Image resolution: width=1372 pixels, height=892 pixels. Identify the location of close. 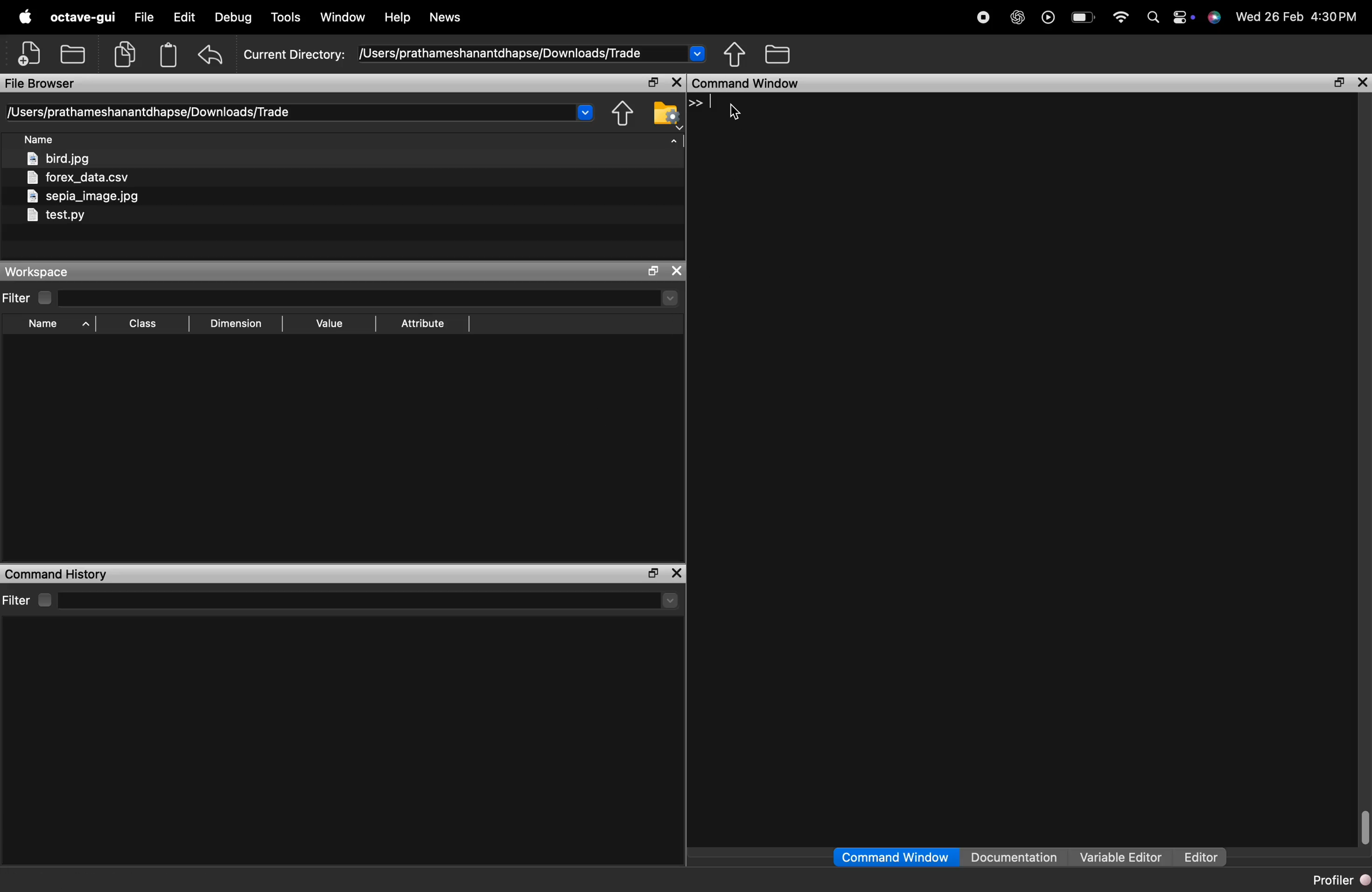
(677, 82).